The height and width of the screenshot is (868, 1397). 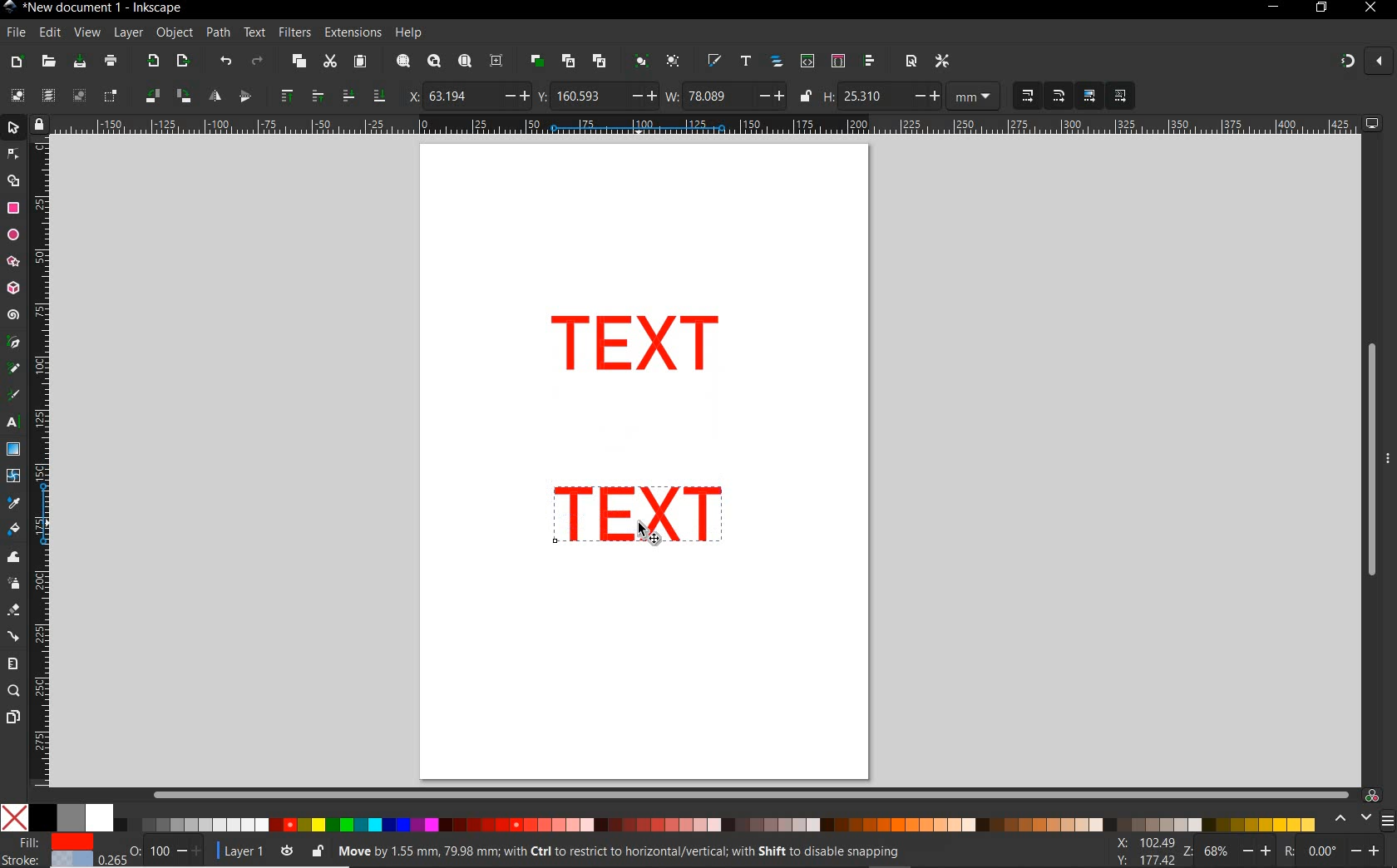 What do you see at coordinates (466, 95) in the screenshot?
I see `horizontal coordinate of selection` at bounding box center [466, 95].